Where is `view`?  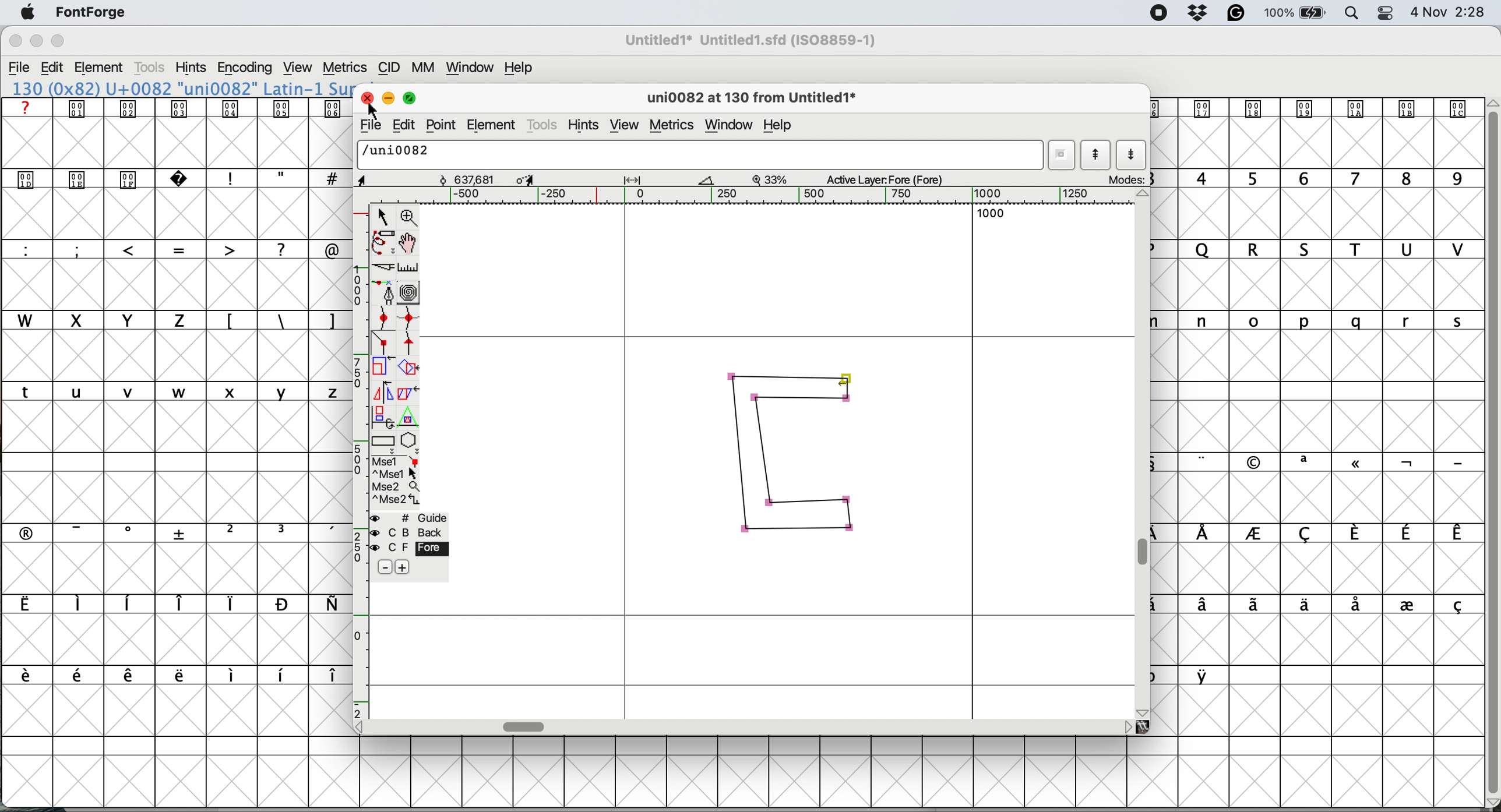
view is located at coordinates (625, 126).